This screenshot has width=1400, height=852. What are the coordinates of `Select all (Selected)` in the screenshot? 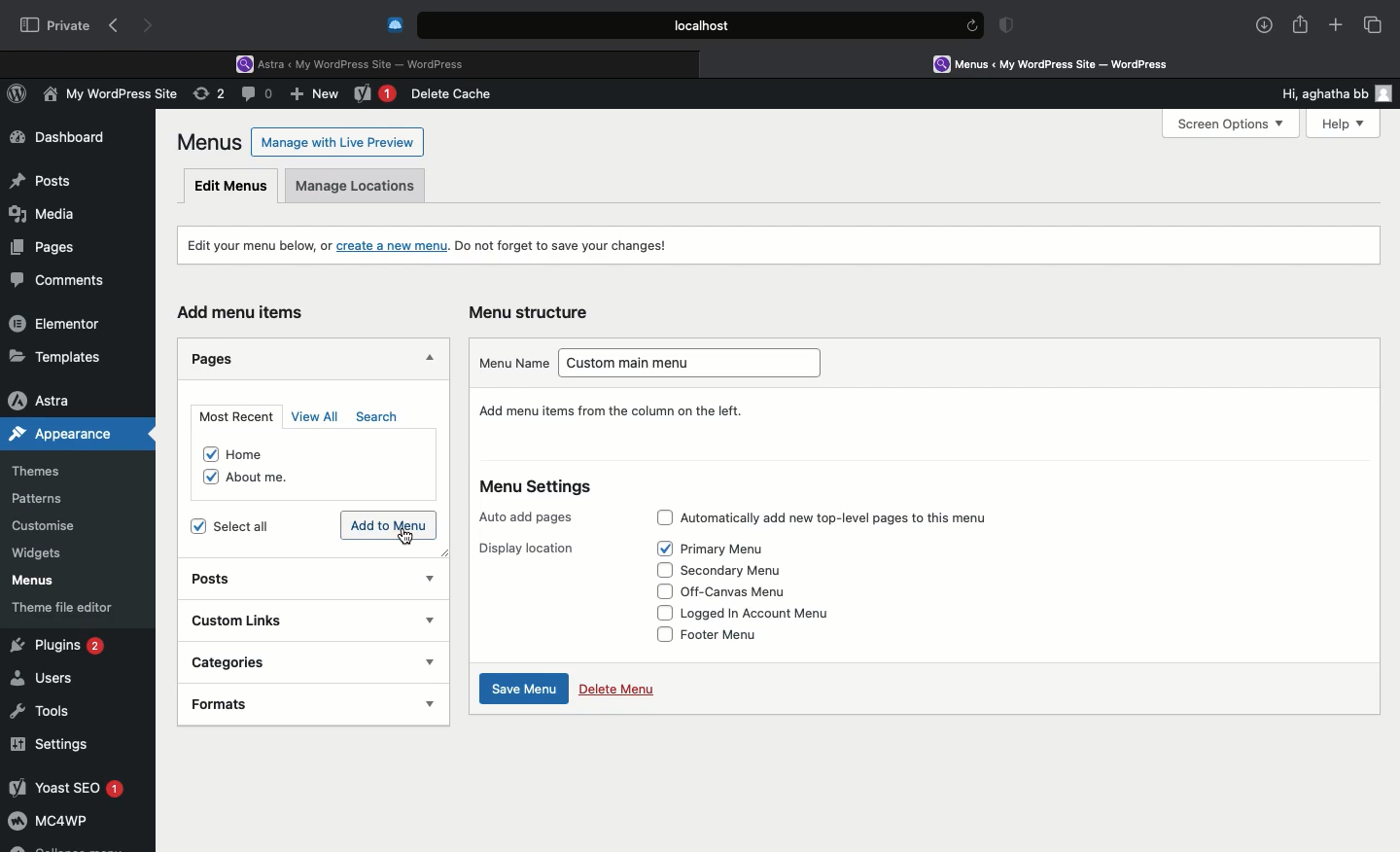 It's located at (245, 525).